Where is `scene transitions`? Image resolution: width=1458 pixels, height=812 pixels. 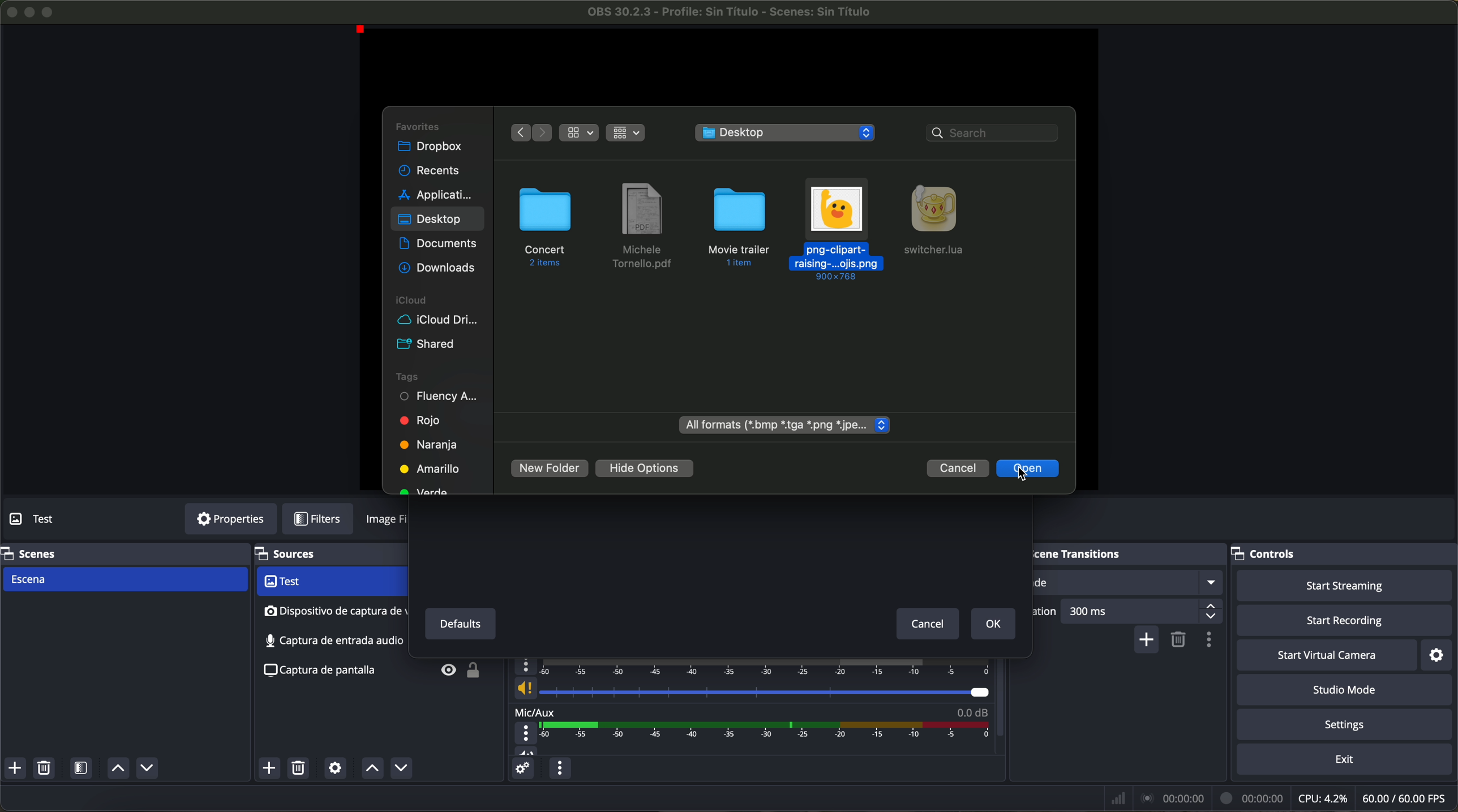
scene transitions is located at coordinates (1094, 553).